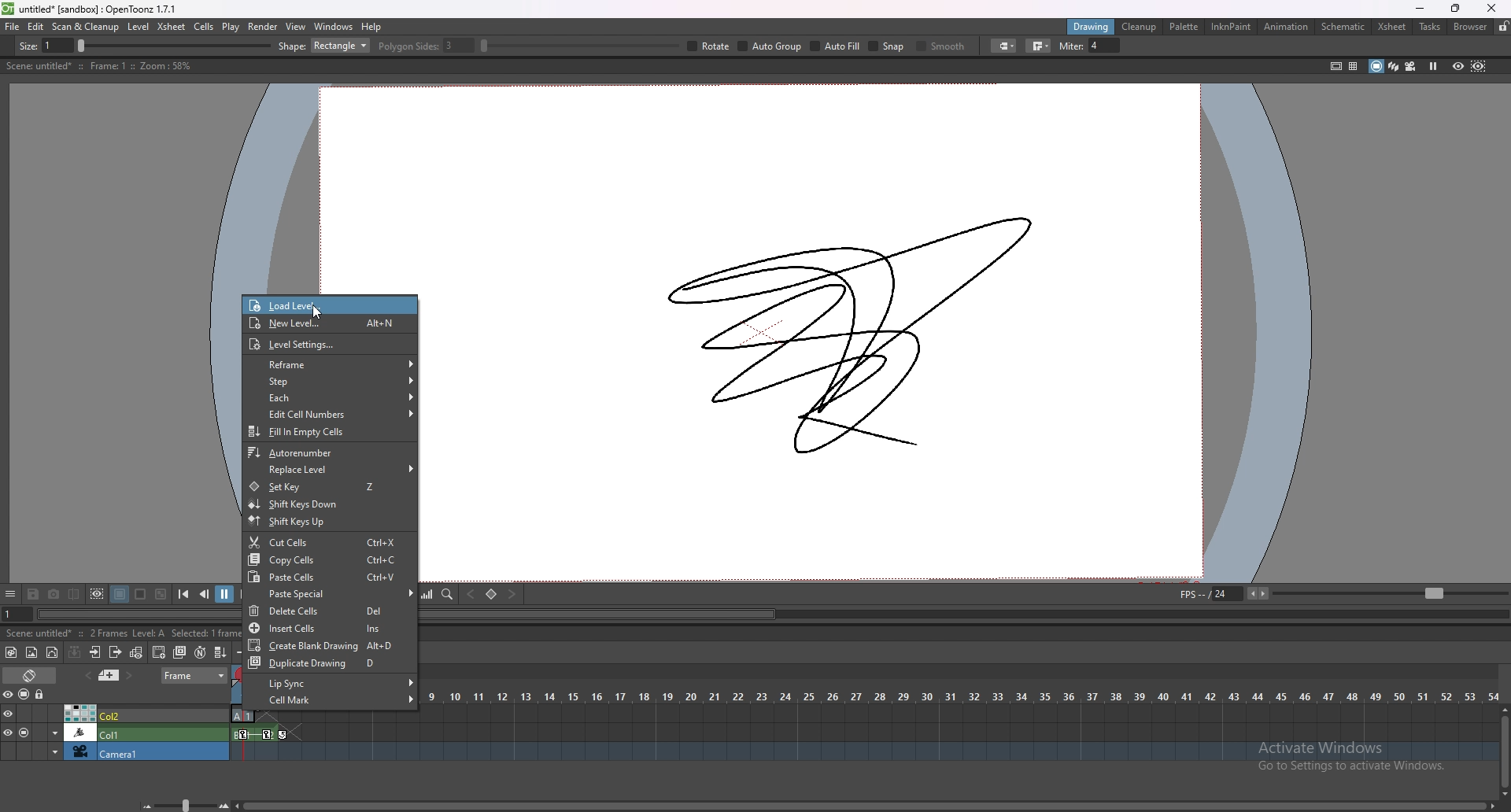 This screenshot has height=812, width=1511. Describe the element at coordinates (140, 27) in the screenshot. I see `level` at that location.